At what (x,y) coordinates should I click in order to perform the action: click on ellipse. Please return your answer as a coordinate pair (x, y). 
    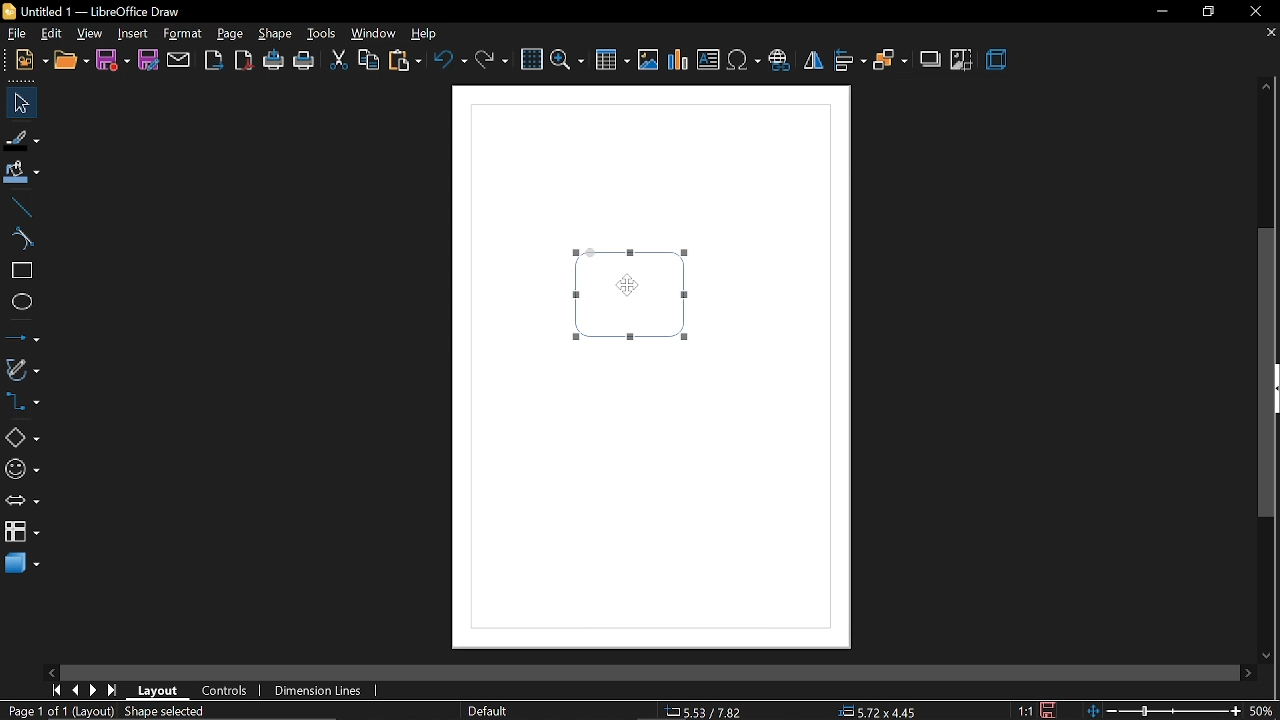
    Looking at the image, I should click on (22, 305).